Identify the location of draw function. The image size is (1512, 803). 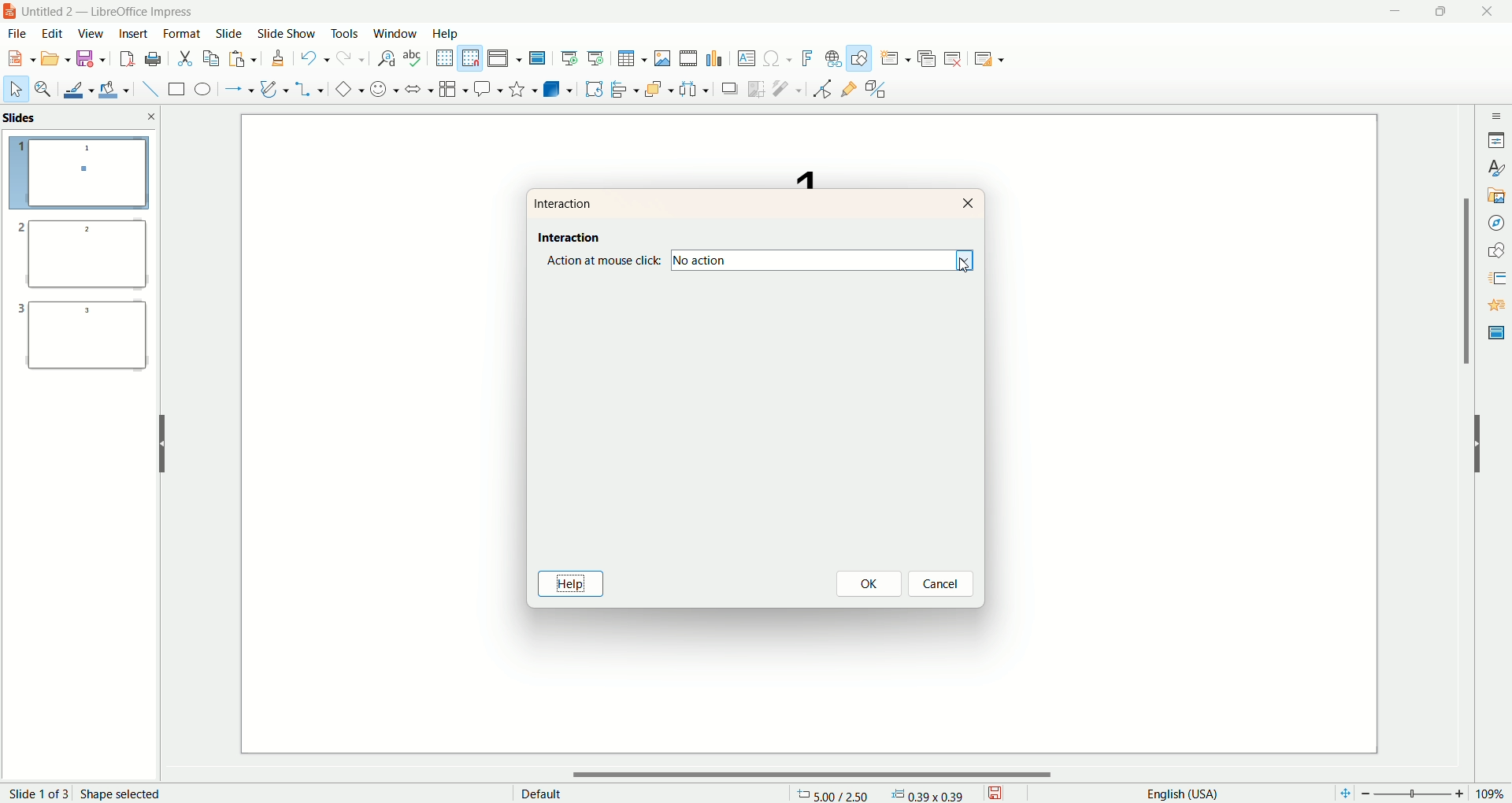
(859, 58).